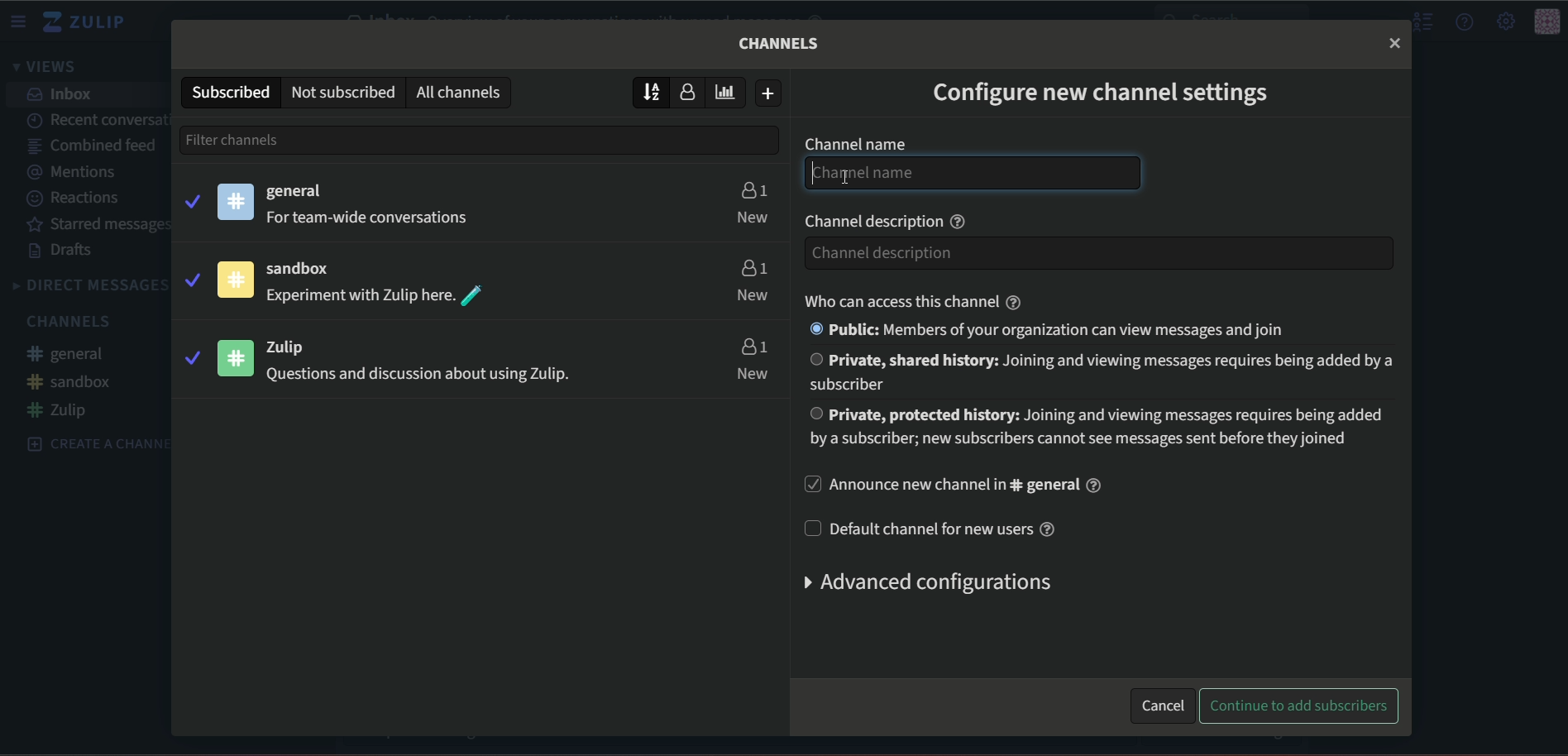 The width and height of the screenshot is (1568, 756). What do you see at coordinates (62, 94) in the screenshot?
I see `inbox` at bounding box center [62, 94].